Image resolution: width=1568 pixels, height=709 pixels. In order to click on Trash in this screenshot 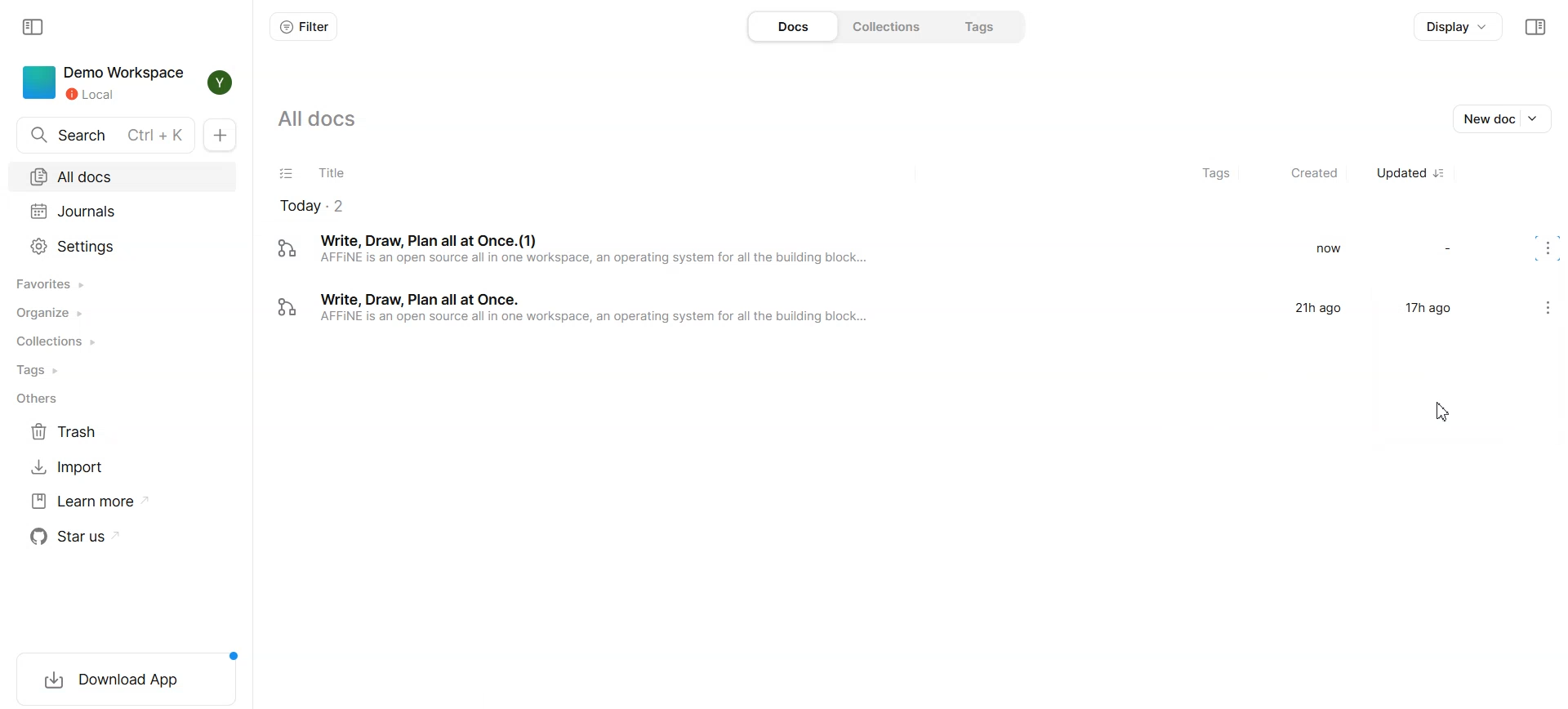, I will do `click(125, 432)`.